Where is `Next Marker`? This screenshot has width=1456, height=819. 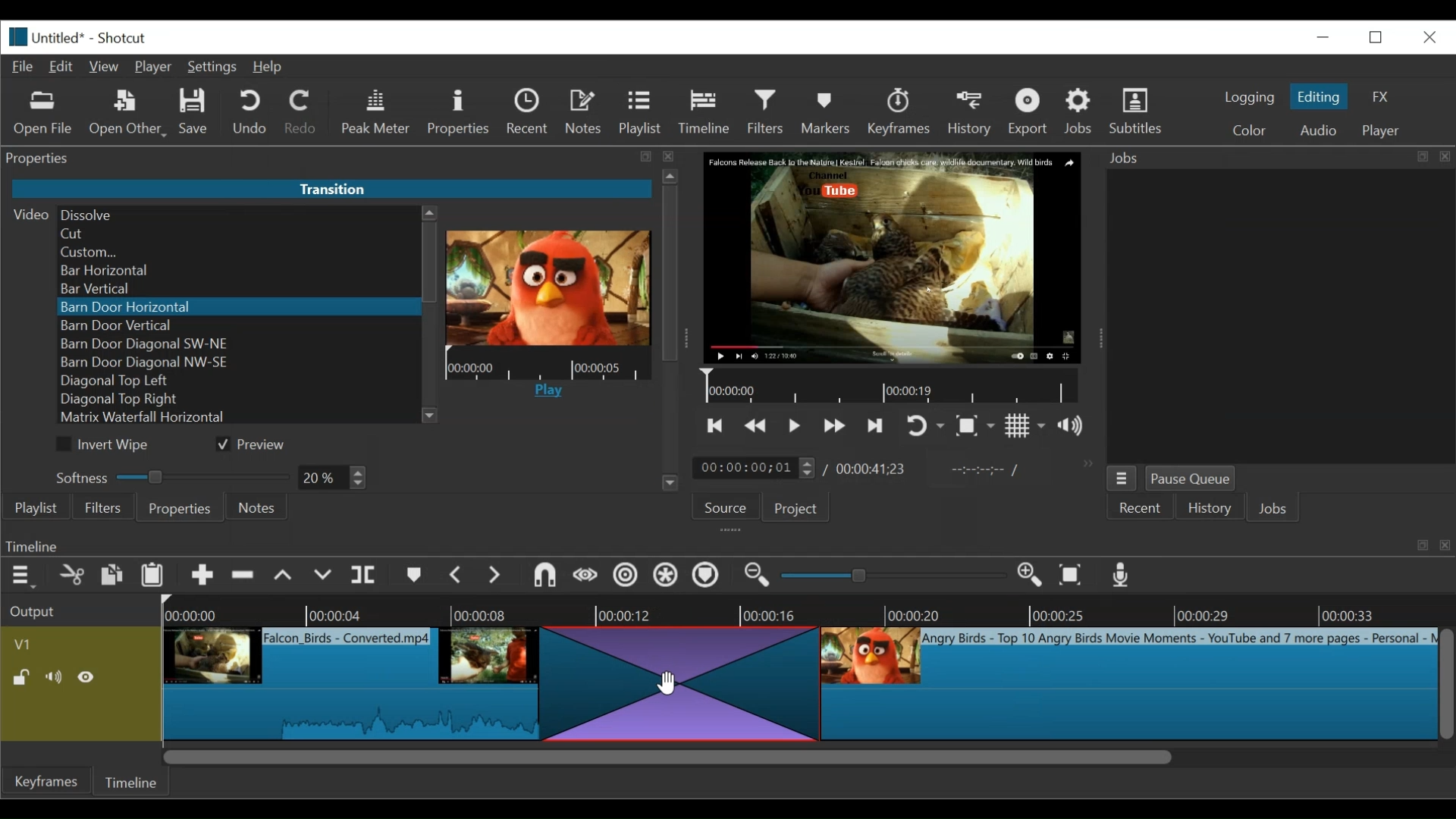
Next Marker is located at coordinates (495, 574).